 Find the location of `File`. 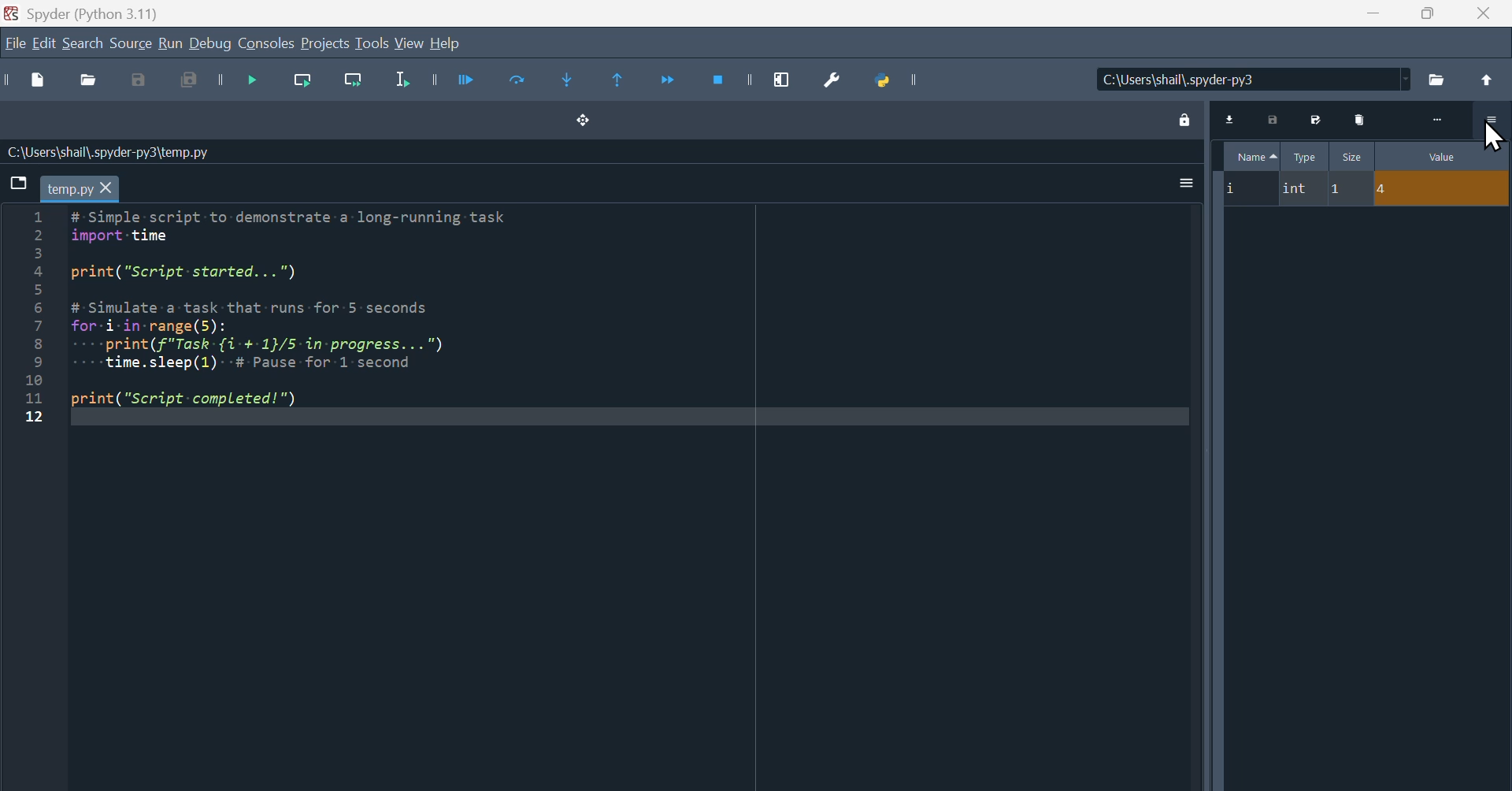

File is located at coordinates (1366, 189).